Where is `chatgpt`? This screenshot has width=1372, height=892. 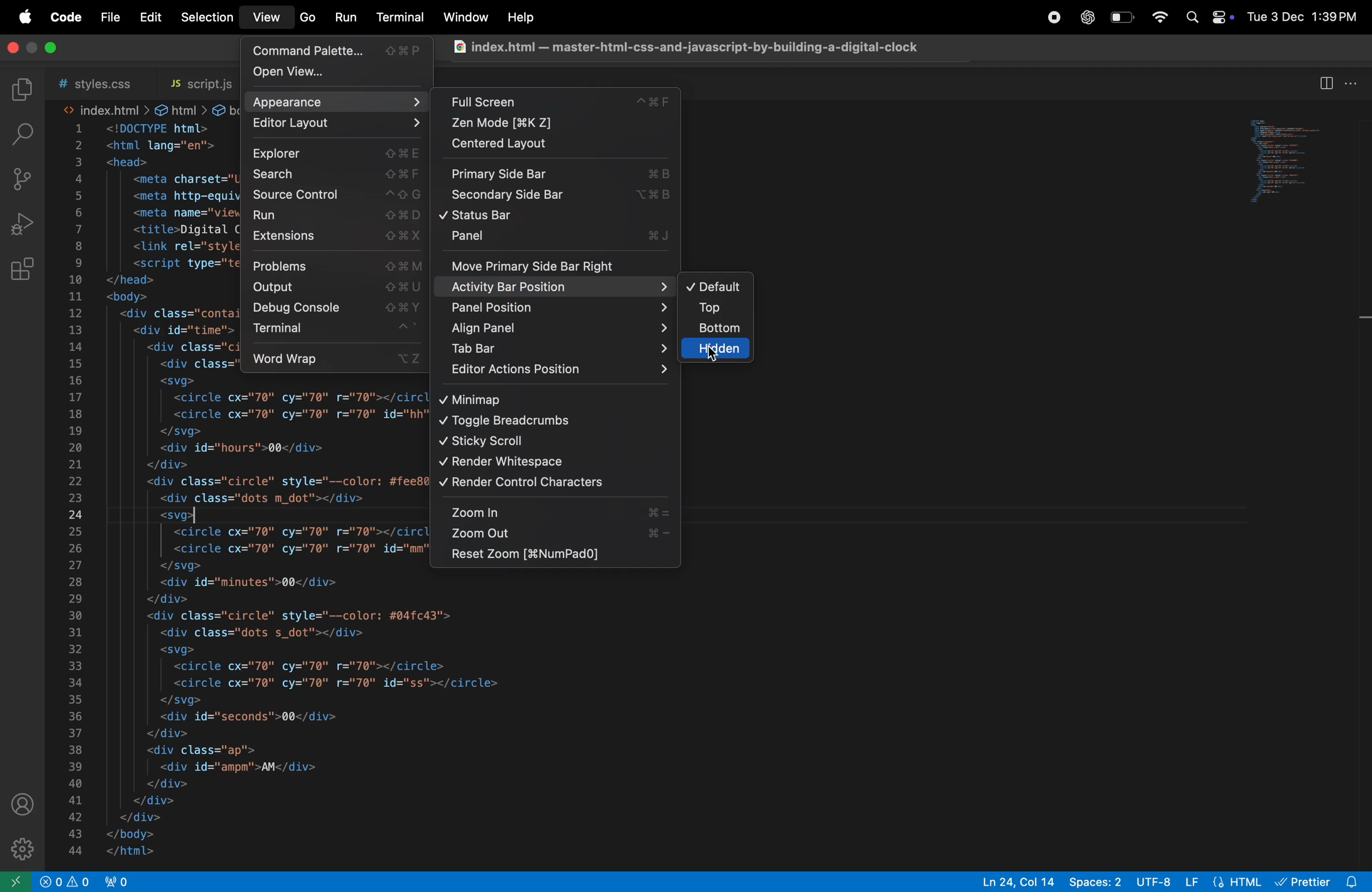
chatgpt is located at coordinates (1085, 17).